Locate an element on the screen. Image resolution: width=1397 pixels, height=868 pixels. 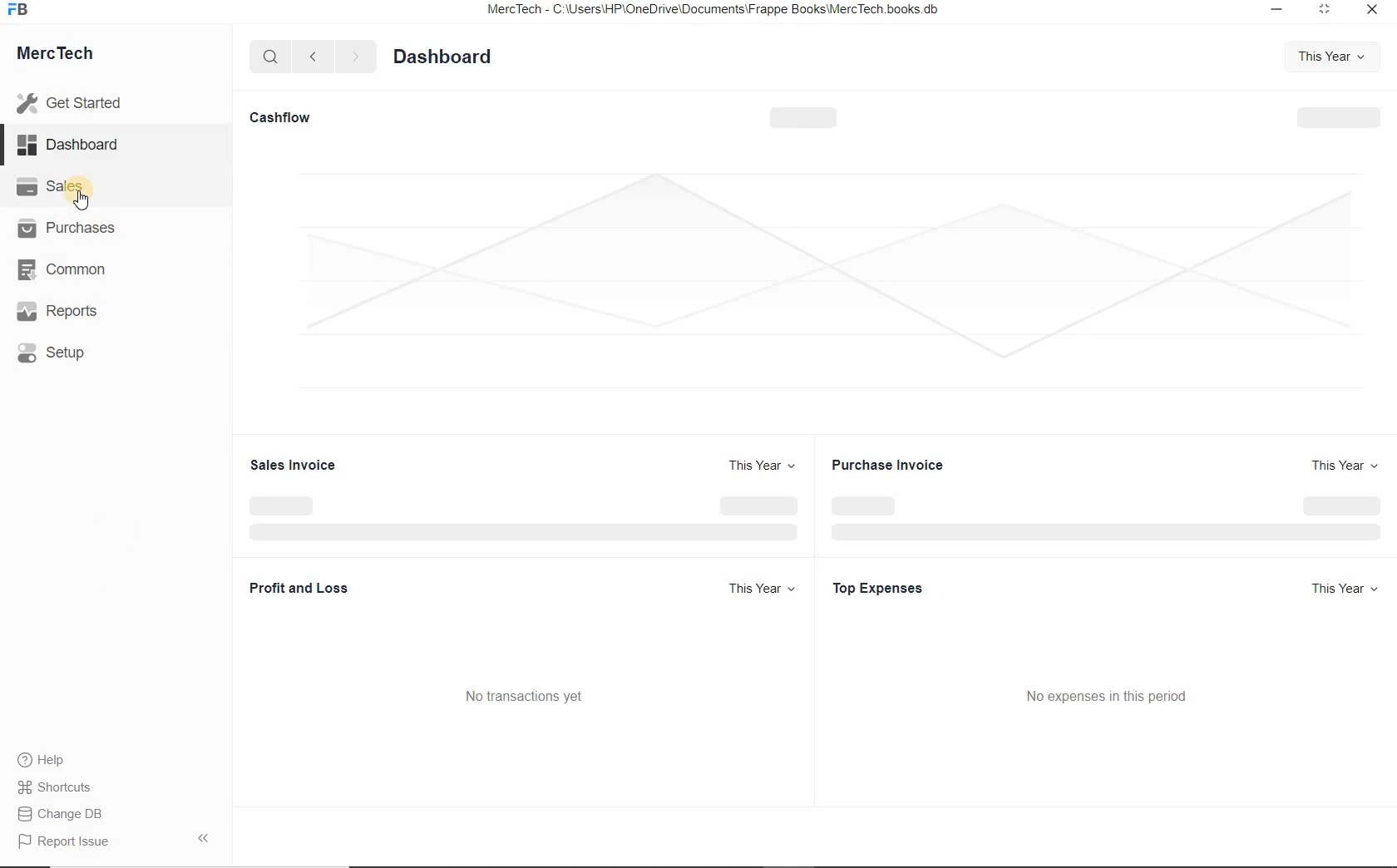
Go back is located at coordinates (315, 58).